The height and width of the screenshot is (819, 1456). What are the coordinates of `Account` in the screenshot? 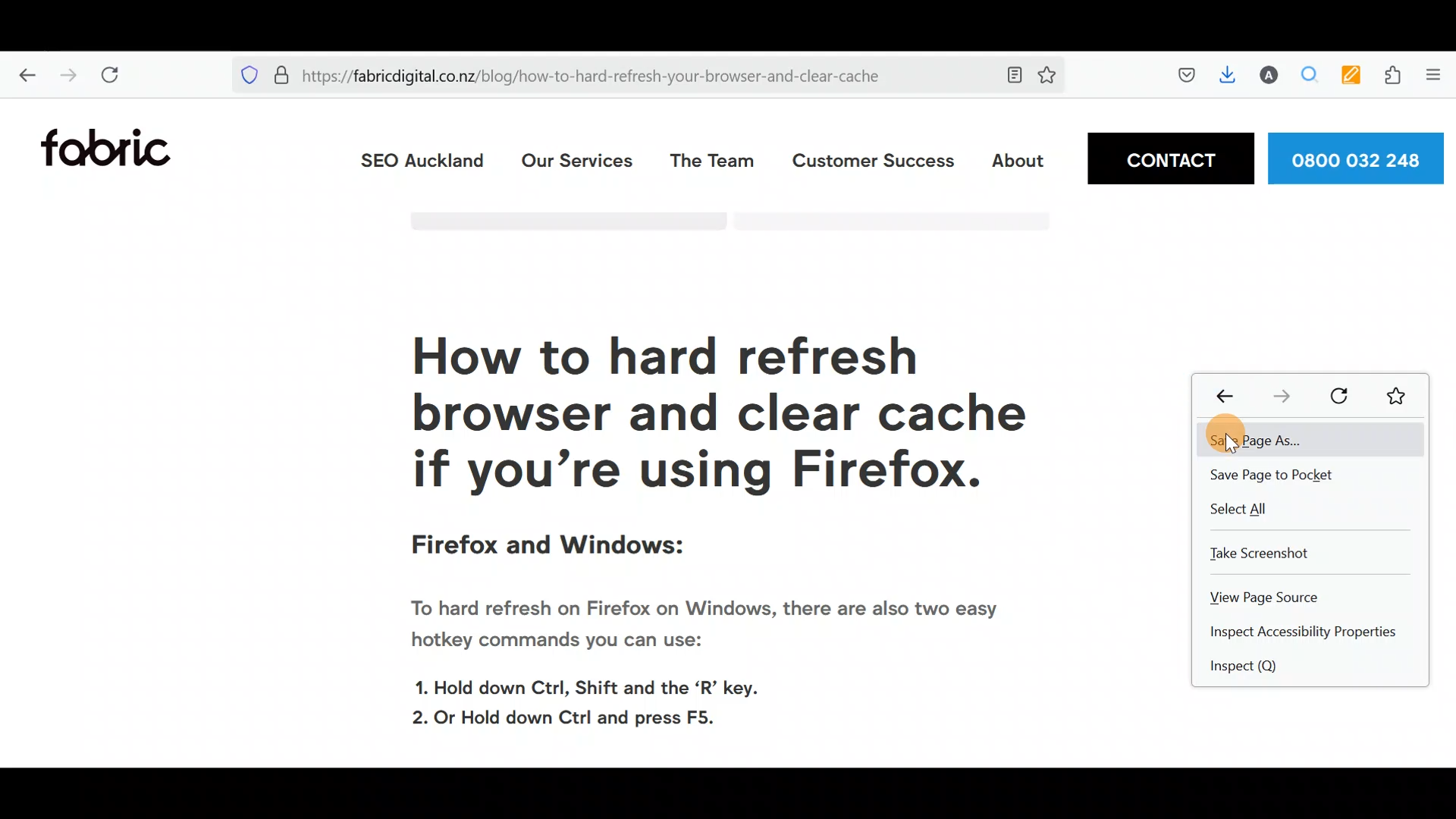 It's located at (1272, 75).